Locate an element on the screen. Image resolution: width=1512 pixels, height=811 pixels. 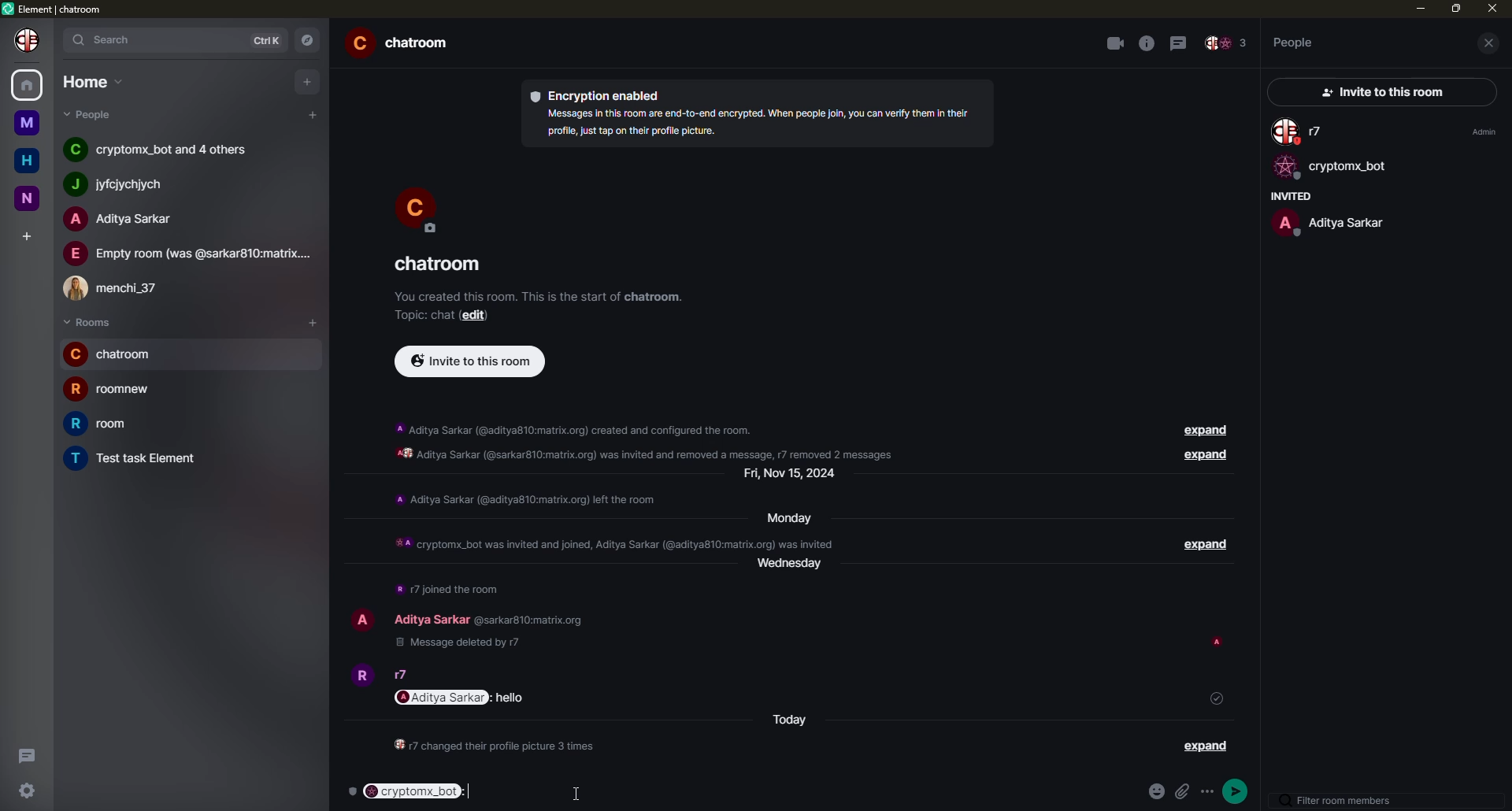
profile is located at coordinates (30, 39).